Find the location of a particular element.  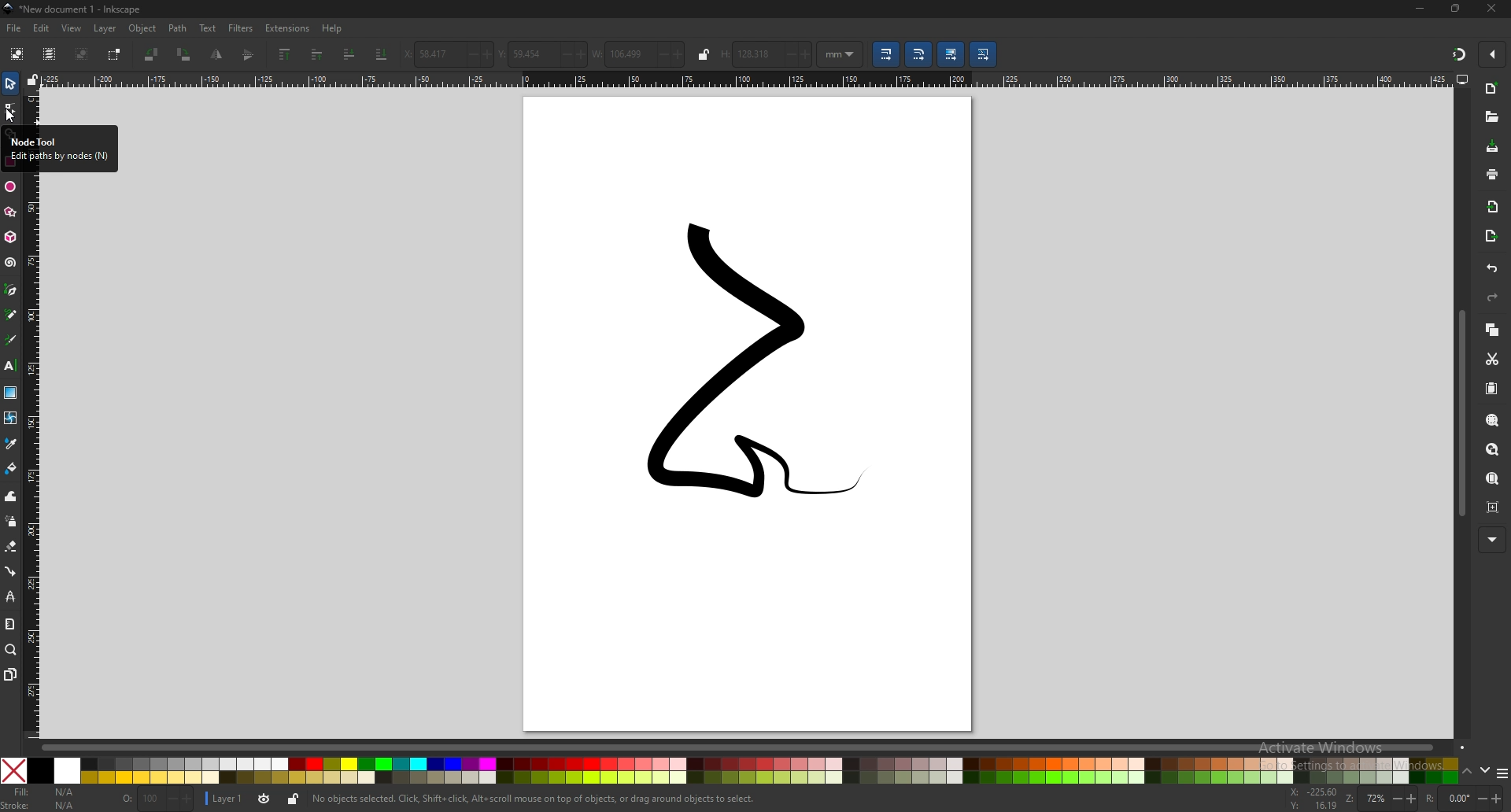

zoom is located at coordinates (1381, 799).